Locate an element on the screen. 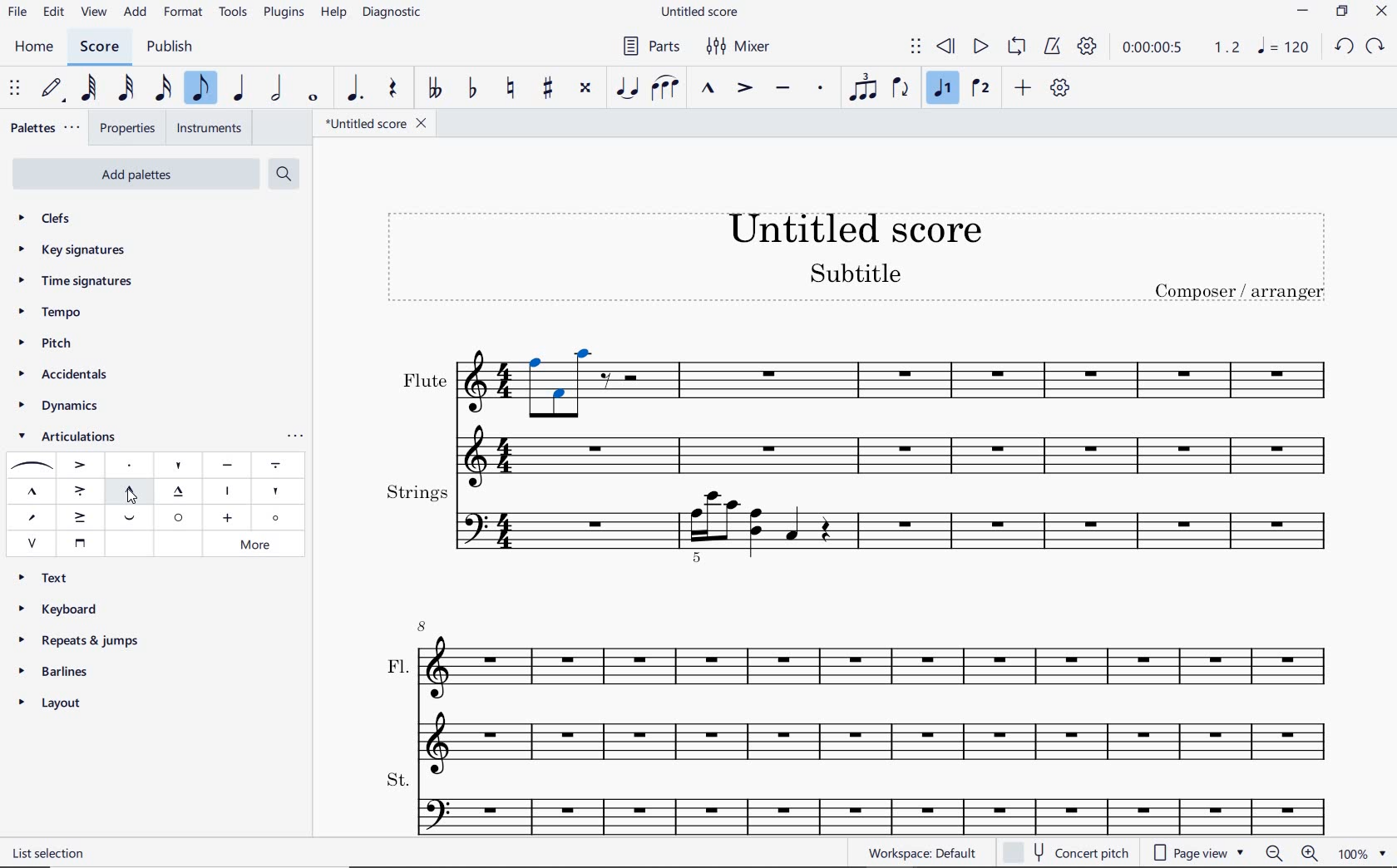 The width and height of the screenshot is (1397, 868). MORE is located at coordinates (259, 544).